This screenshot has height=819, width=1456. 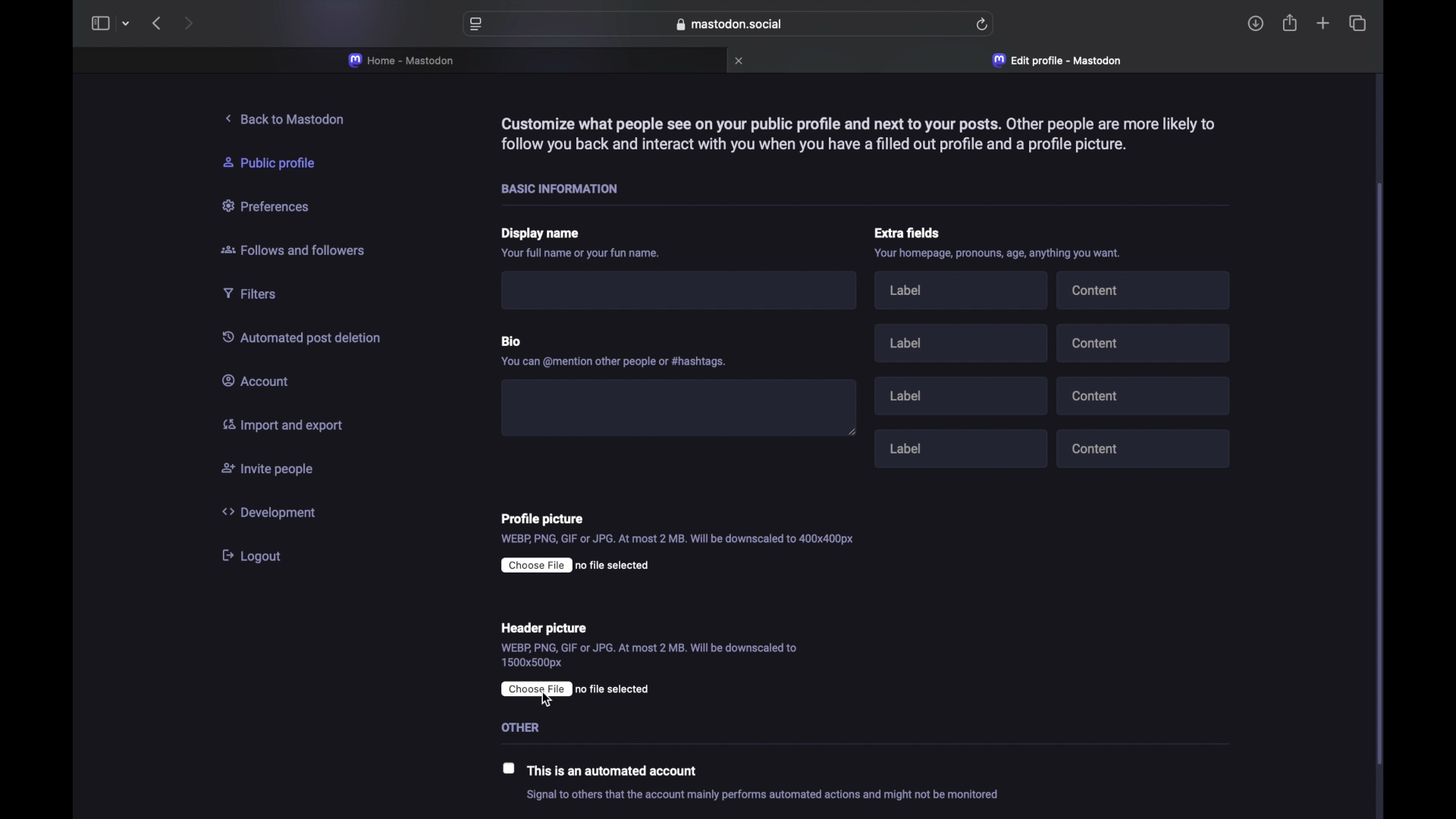 I want to click on label, so click(x=961, y=342).